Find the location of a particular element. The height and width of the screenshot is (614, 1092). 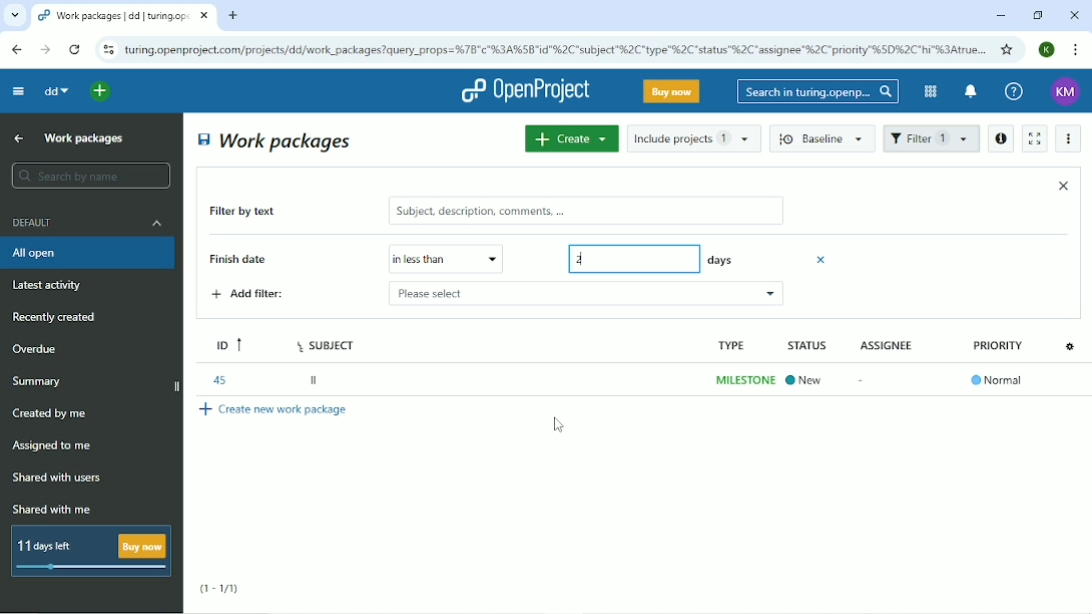

Account is located at coordinates (1066, 92).